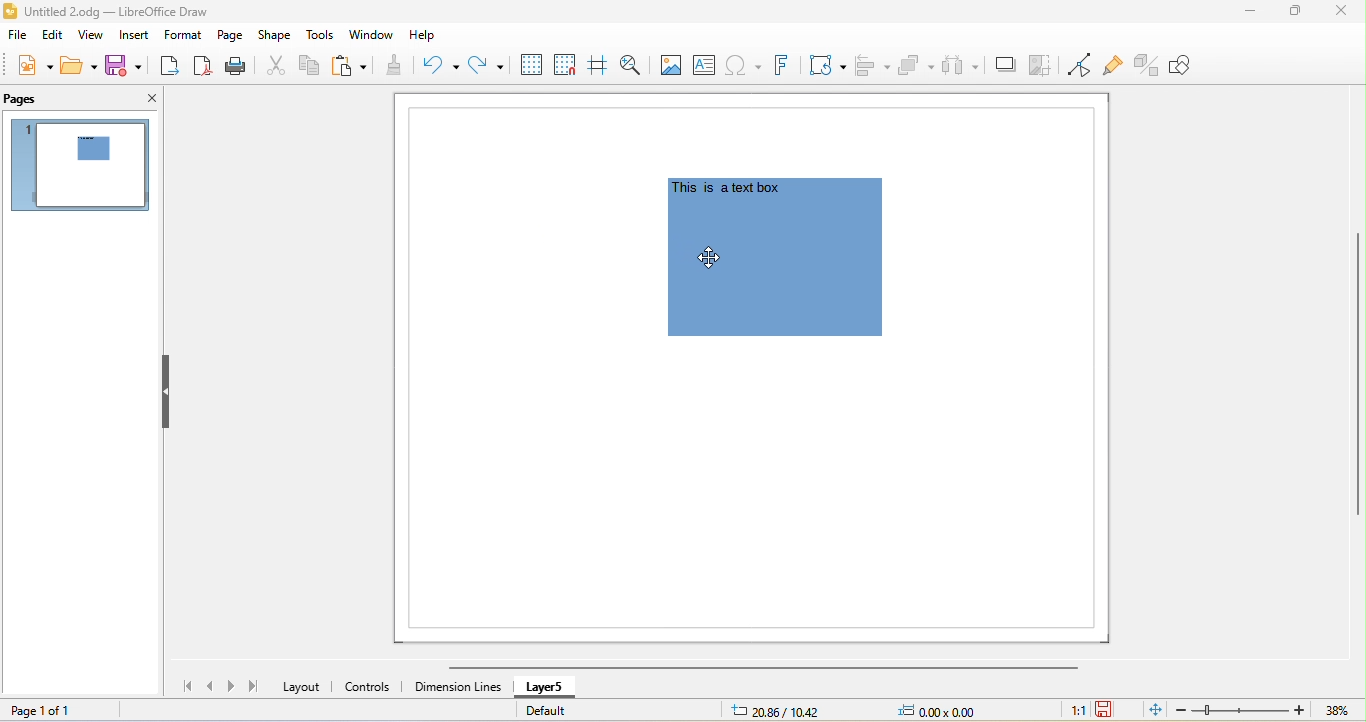  What do you see at coordinates (1079, 65) in the screenshot?
I see `toggle point edit mode` at bounding box center [1079, 65].